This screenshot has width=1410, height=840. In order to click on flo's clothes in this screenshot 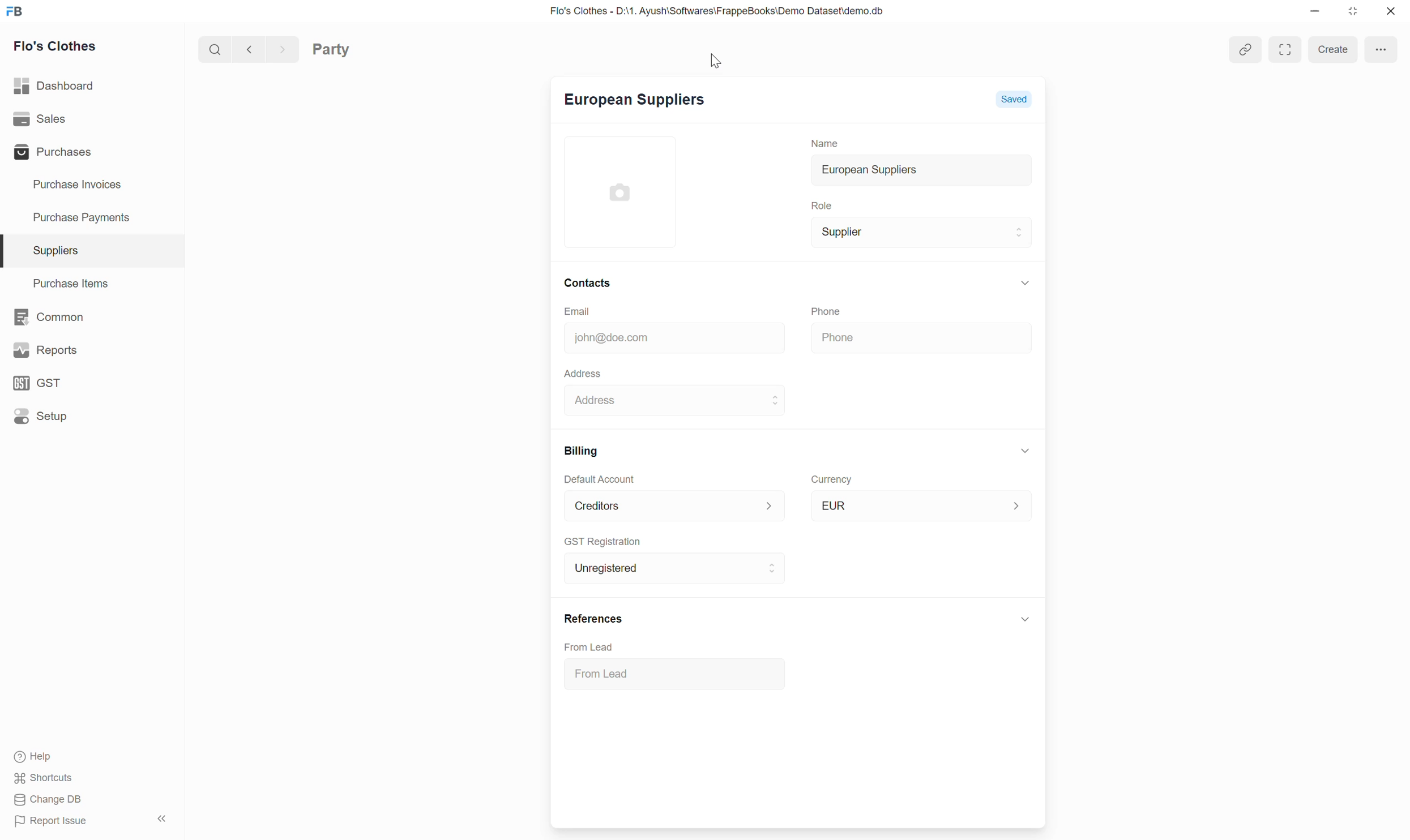, I will do `click(56, 46)`.